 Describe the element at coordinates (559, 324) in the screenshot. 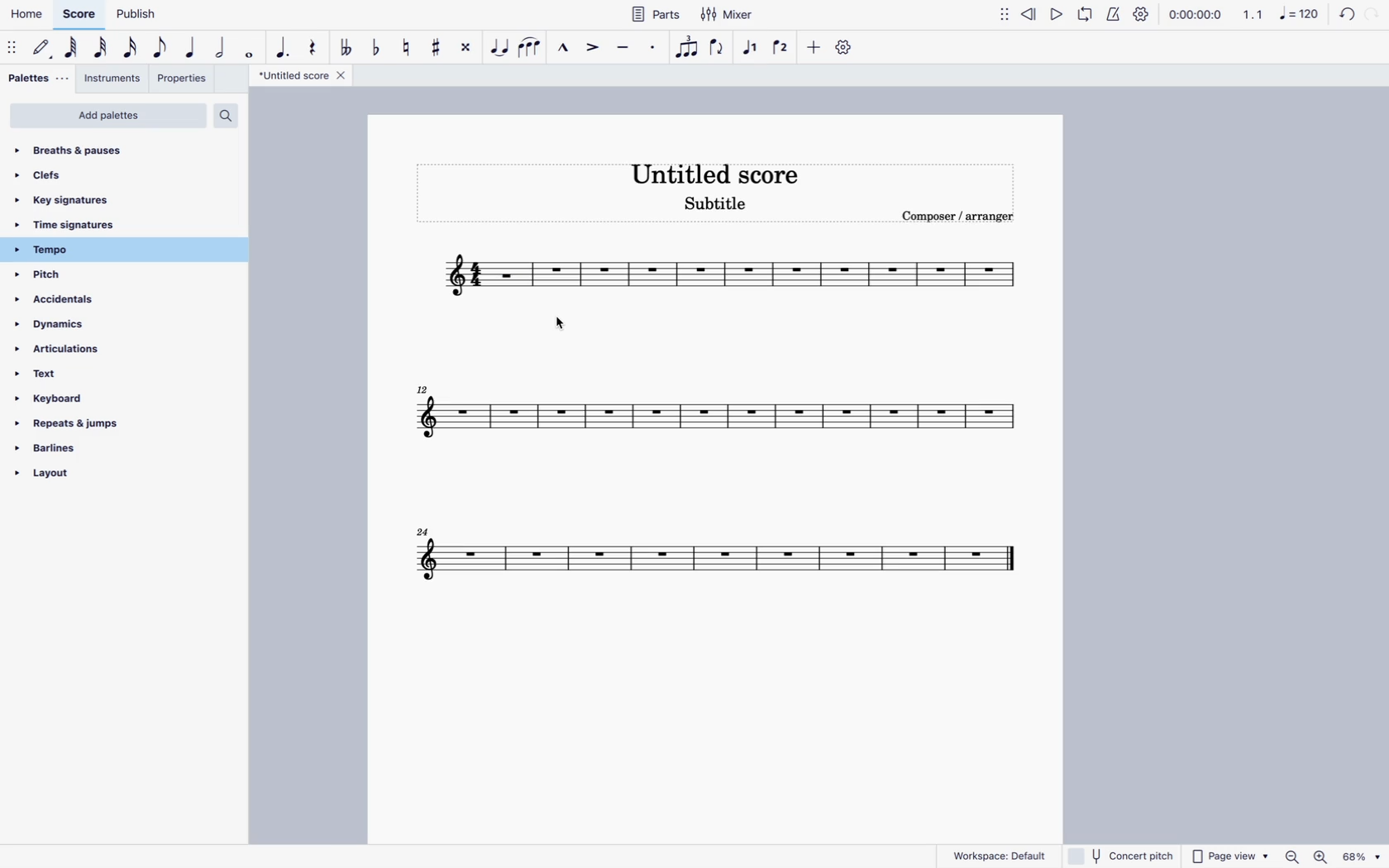

I see `cursor` at that location.